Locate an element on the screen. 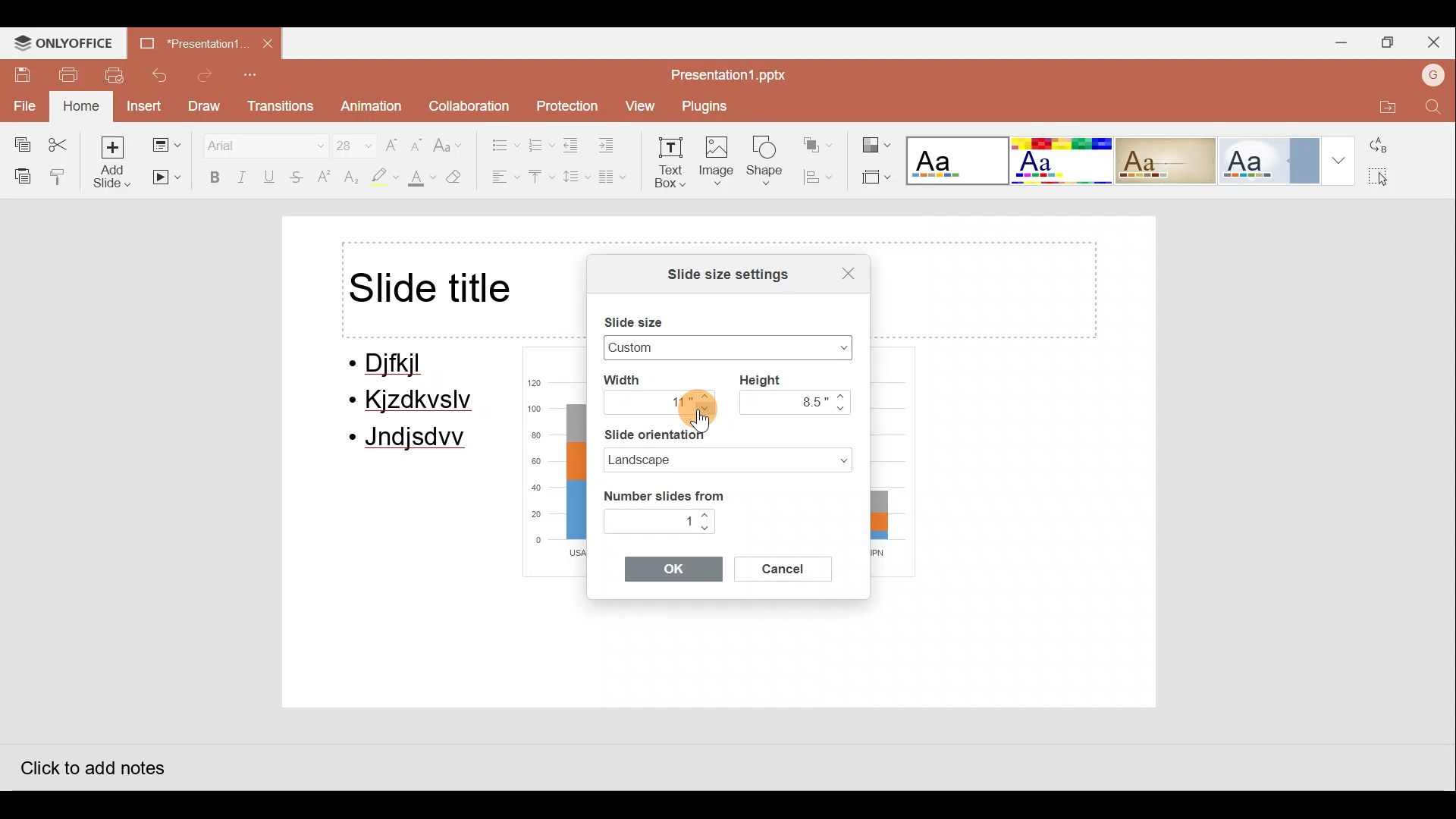  Navigate down is located at coordinates (705, 410).